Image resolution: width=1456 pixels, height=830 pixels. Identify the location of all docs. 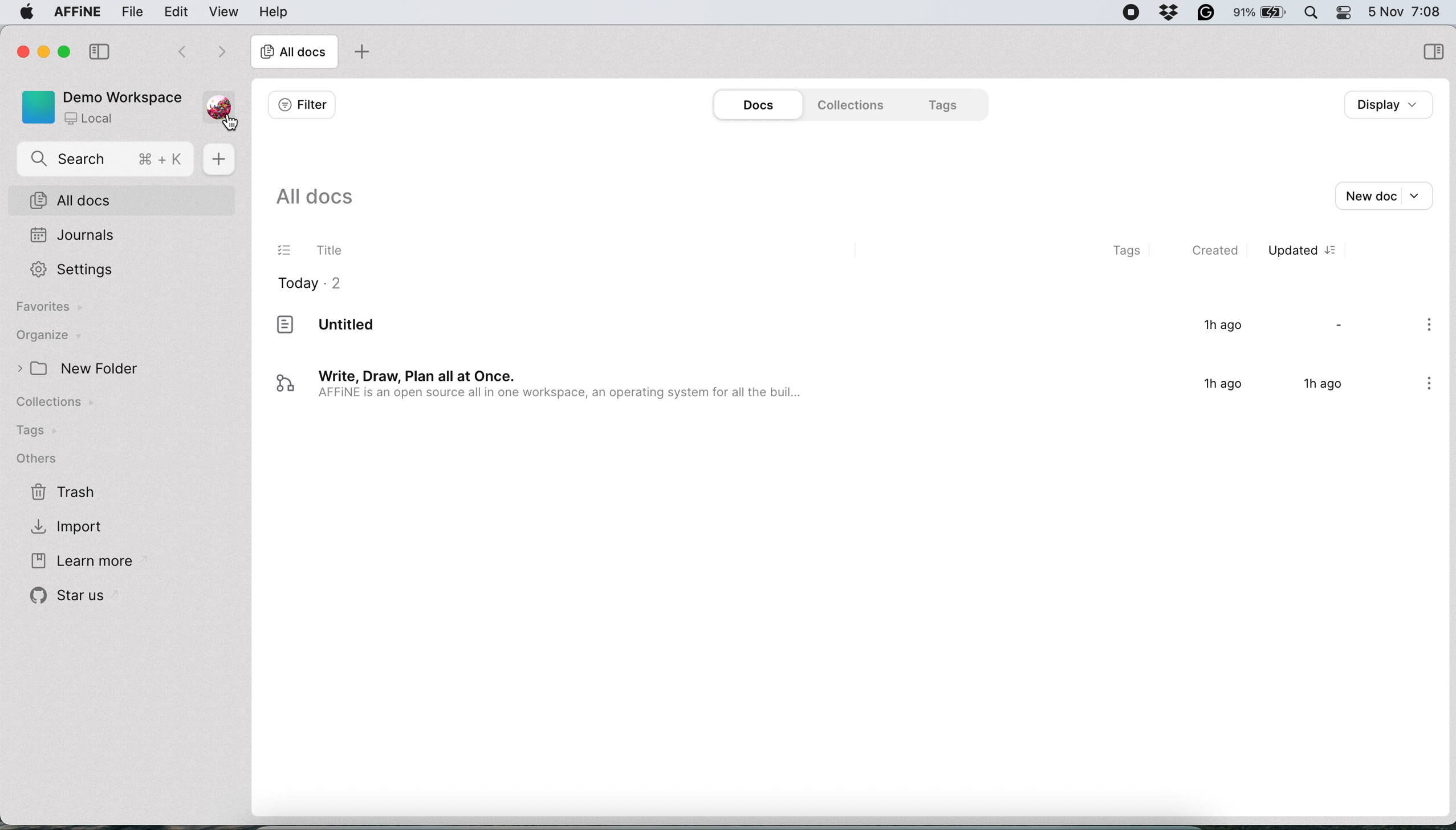
(120, 200).